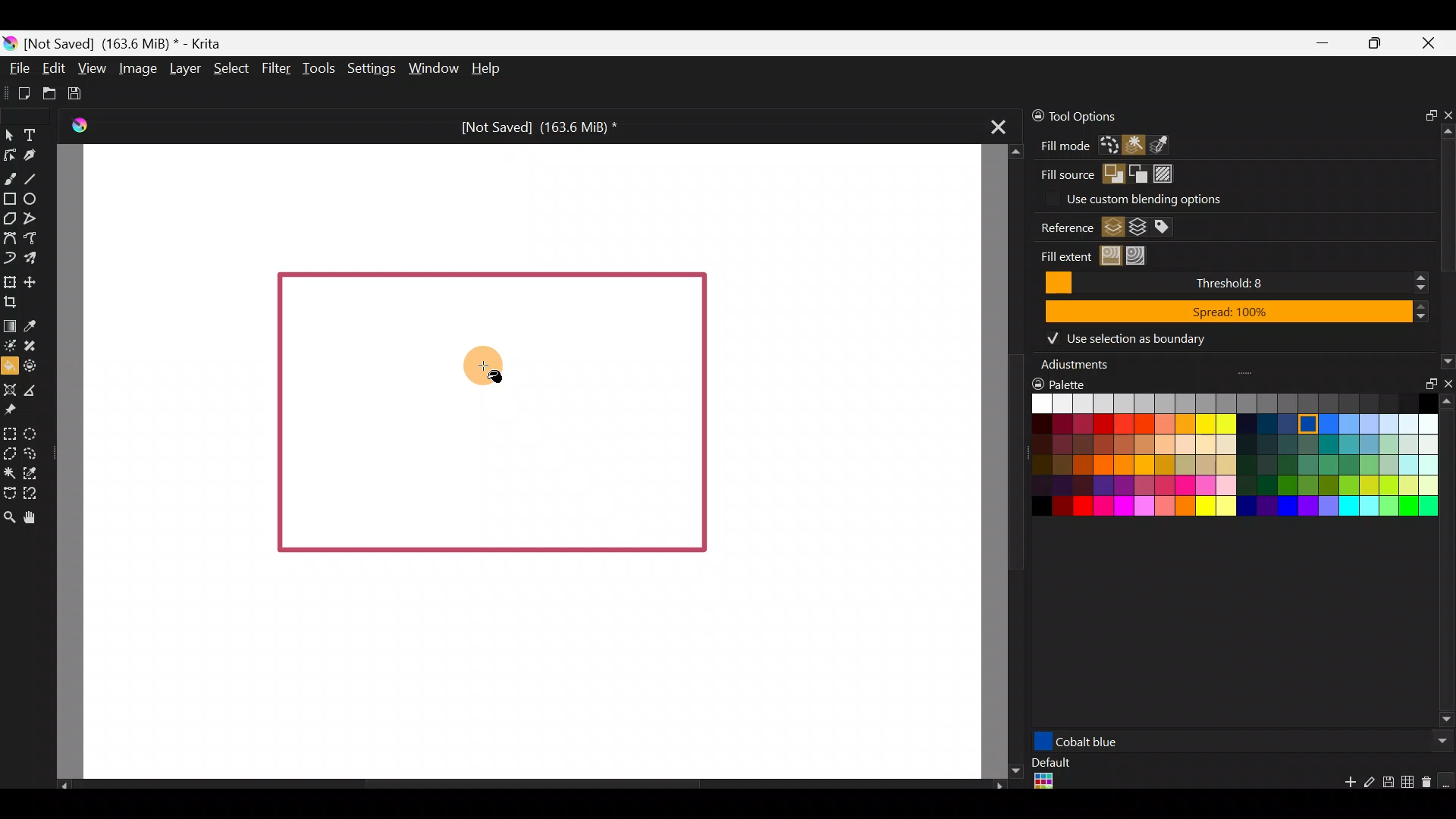  What do you see at coordinates (11, 473) in the screenshot?
I see `Contiguous selection tool` at bounding box center [11, 473].